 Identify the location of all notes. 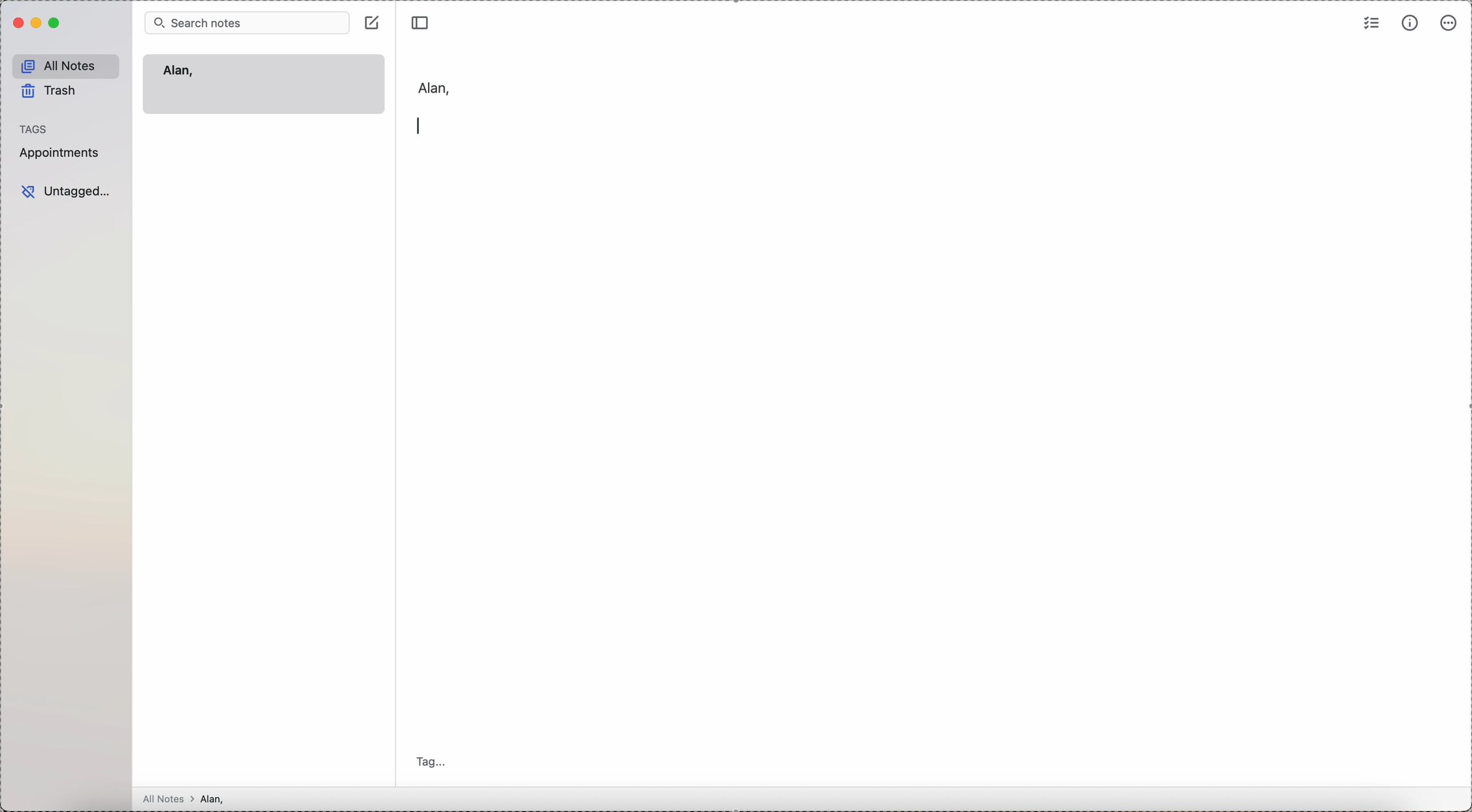
(66, 66).